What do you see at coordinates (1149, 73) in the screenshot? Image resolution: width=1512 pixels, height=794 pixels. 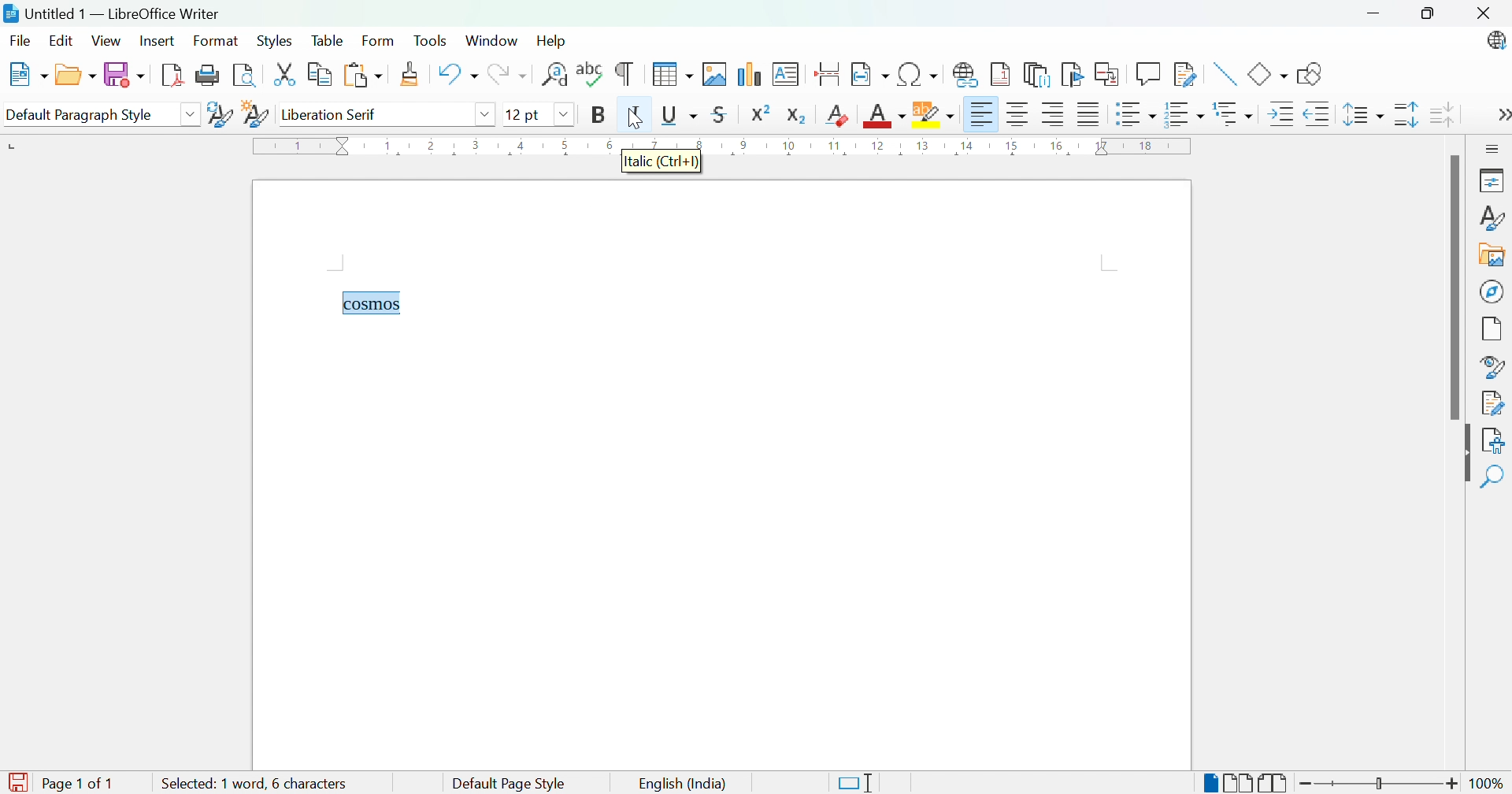 I see `Insert coment` at bounding box center [1149, 73].